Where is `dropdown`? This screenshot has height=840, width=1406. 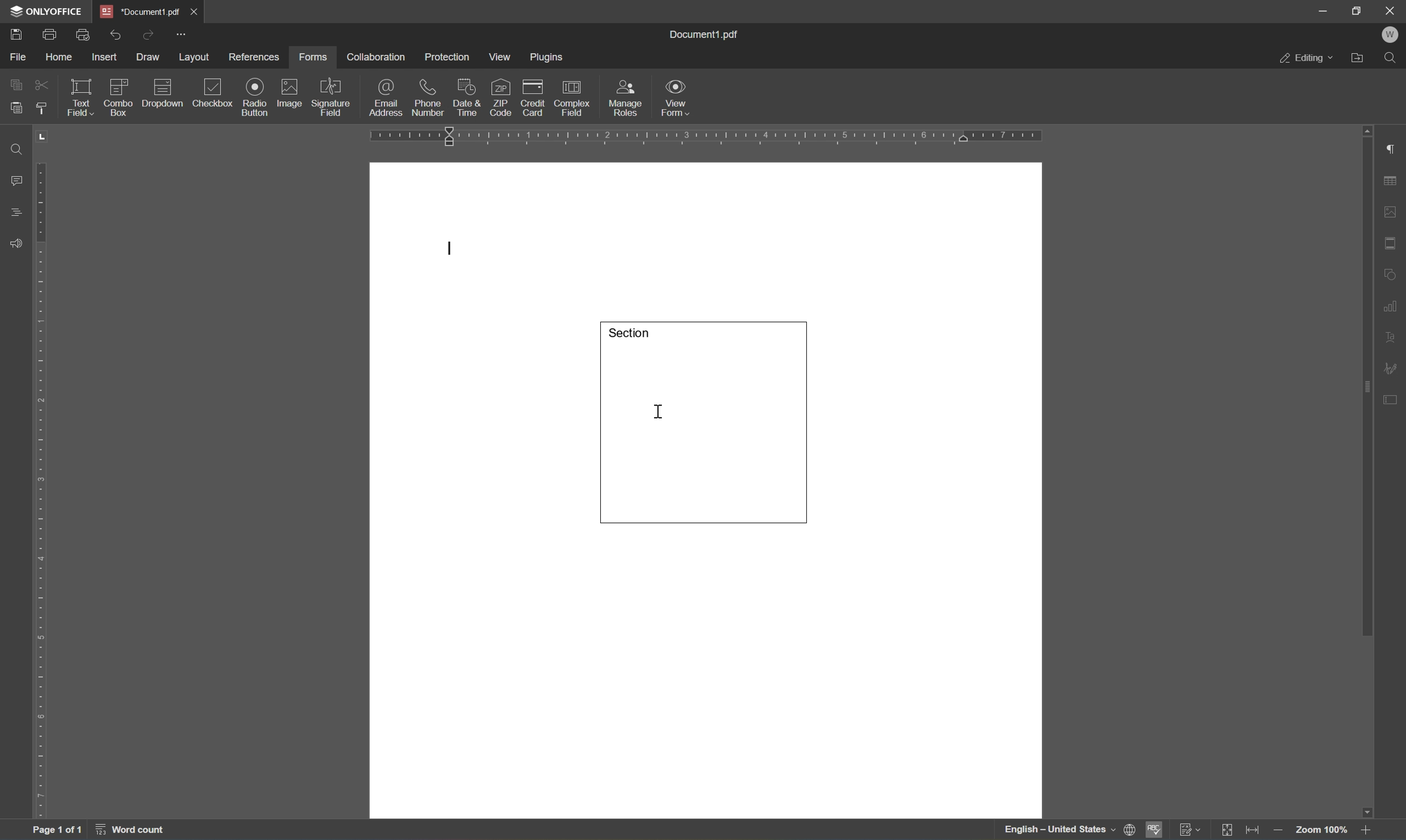 dropdown is located at coordinates (164, 93).